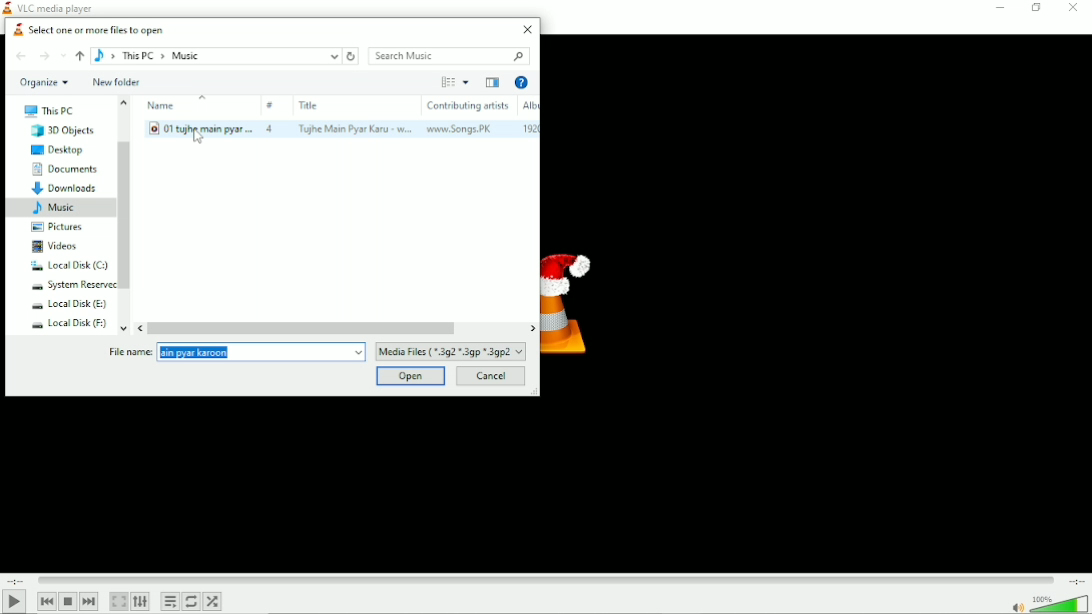  What do you see at coordinates (141, 602) in the screenshot?
I see `Show extended settings` at bounding box center [141, 602].